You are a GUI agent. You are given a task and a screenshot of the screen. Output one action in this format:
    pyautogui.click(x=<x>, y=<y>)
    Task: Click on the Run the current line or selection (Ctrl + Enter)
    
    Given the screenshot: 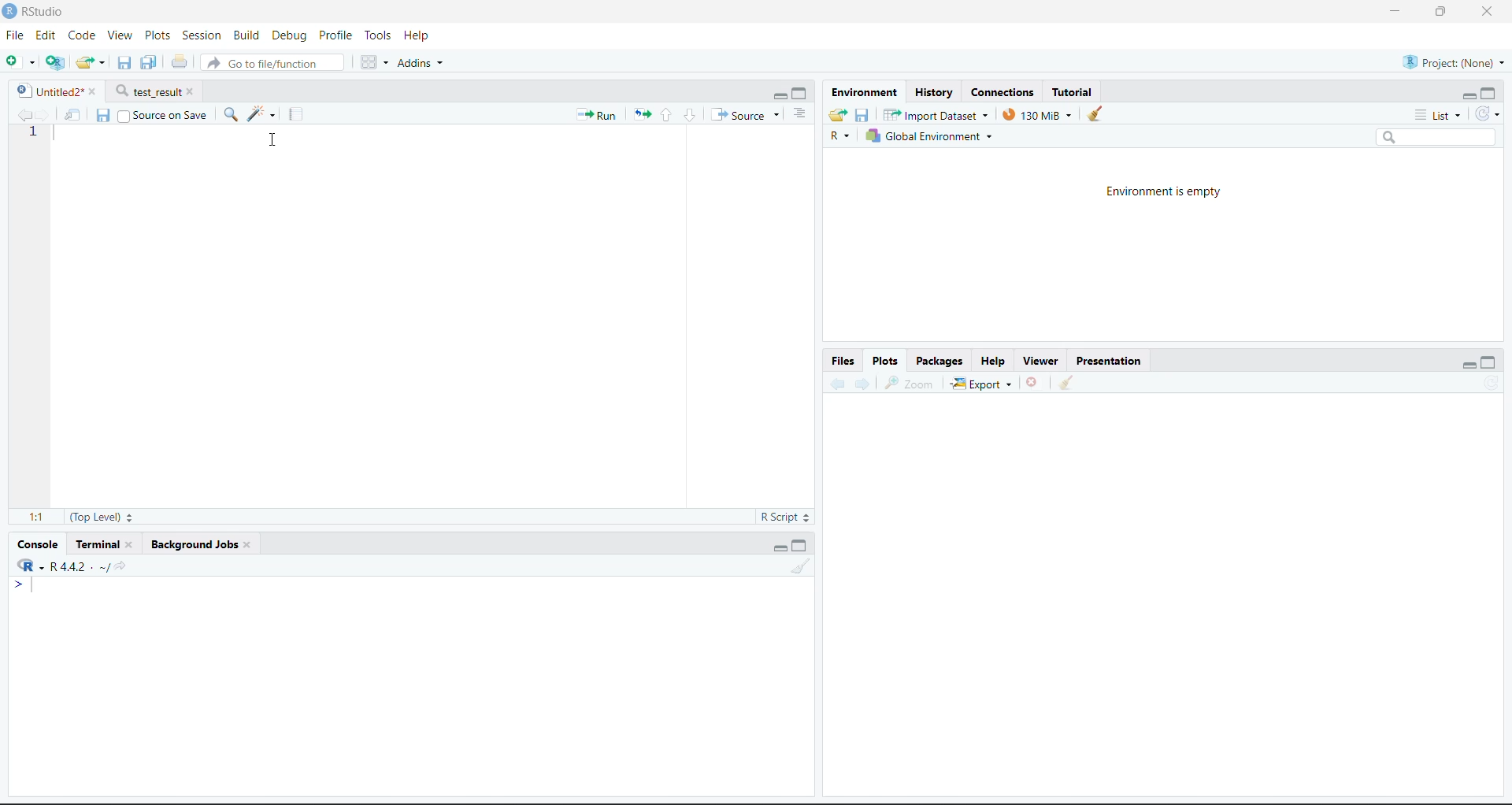 What is the action you would take?
    pyautogui.click(x=593, y=116)
    